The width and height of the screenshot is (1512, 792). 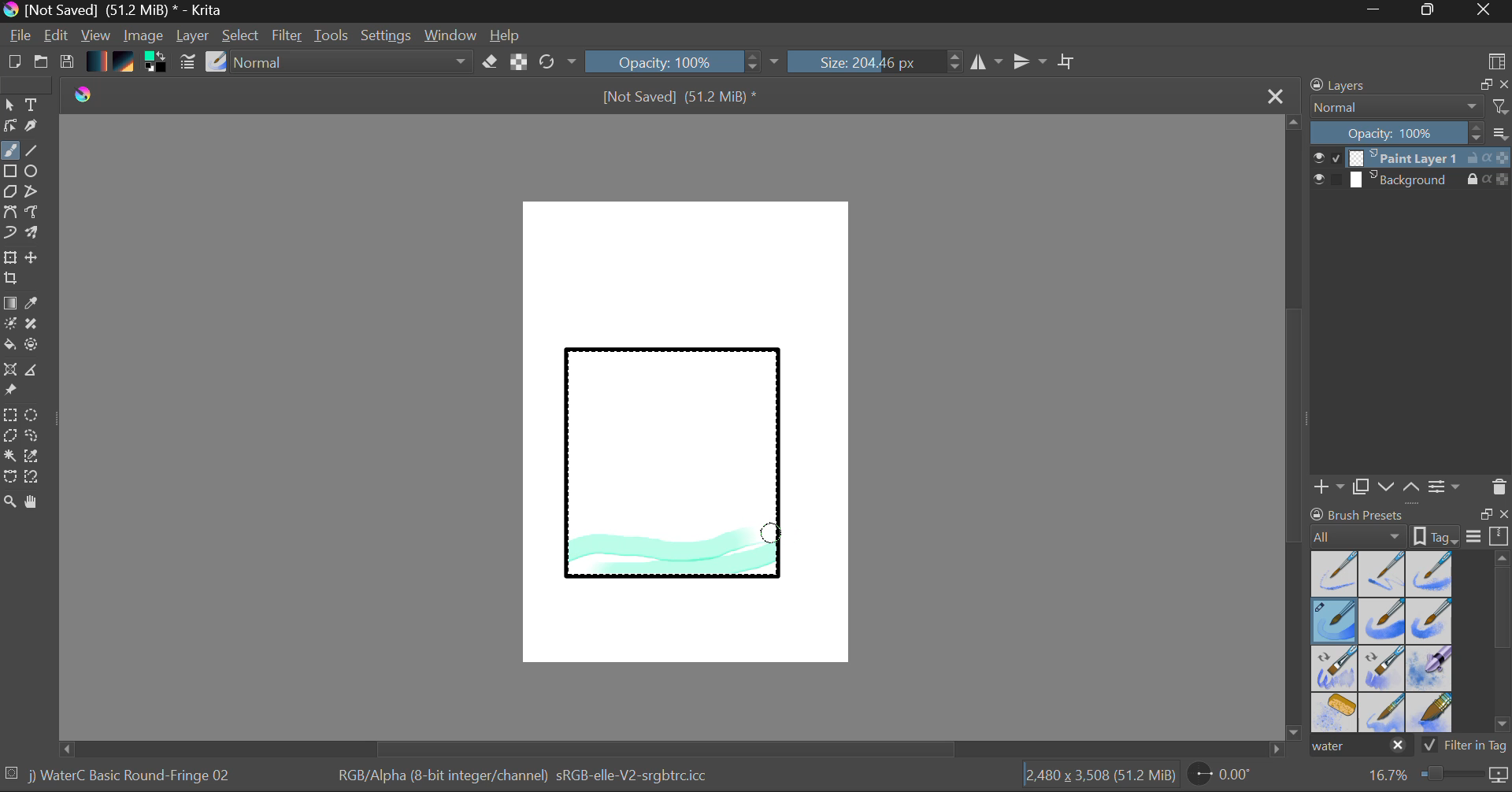 What do you see at coordinates (558, 61) in the screenshot?
I see `Refresh` at bounding box center [558, 61].